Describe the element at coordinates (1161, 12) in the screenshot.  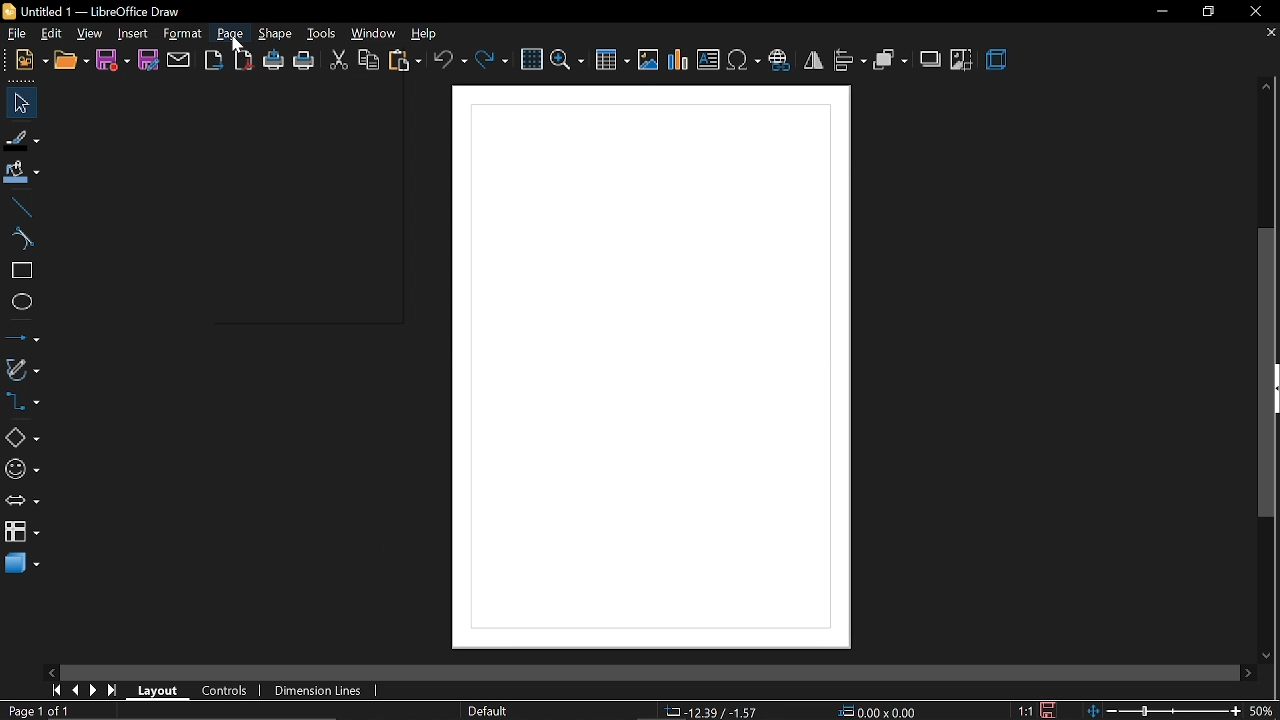
I see `minimize` at that location.